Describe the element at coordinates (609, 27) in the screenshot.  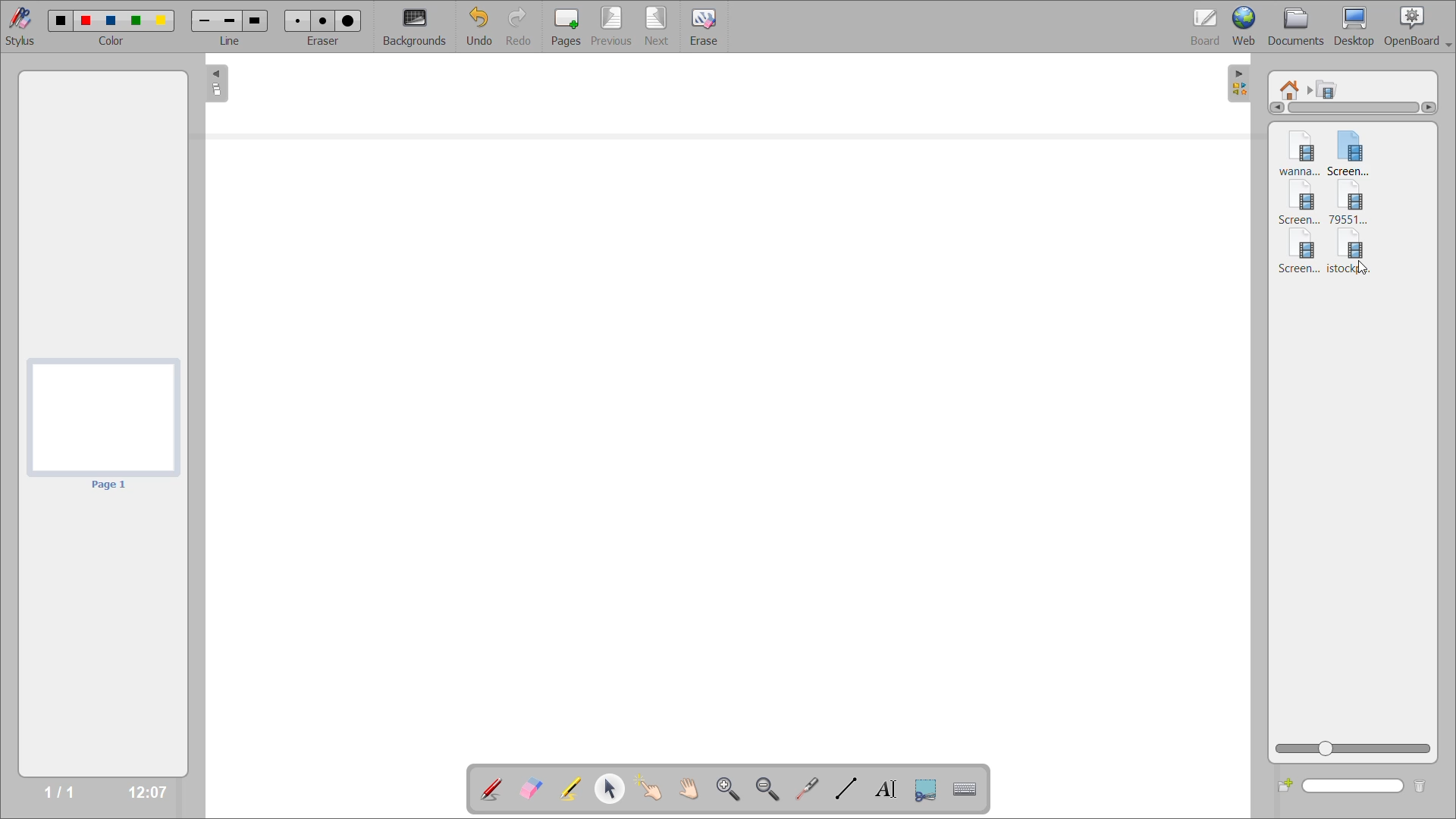
I see `previous` at that location.